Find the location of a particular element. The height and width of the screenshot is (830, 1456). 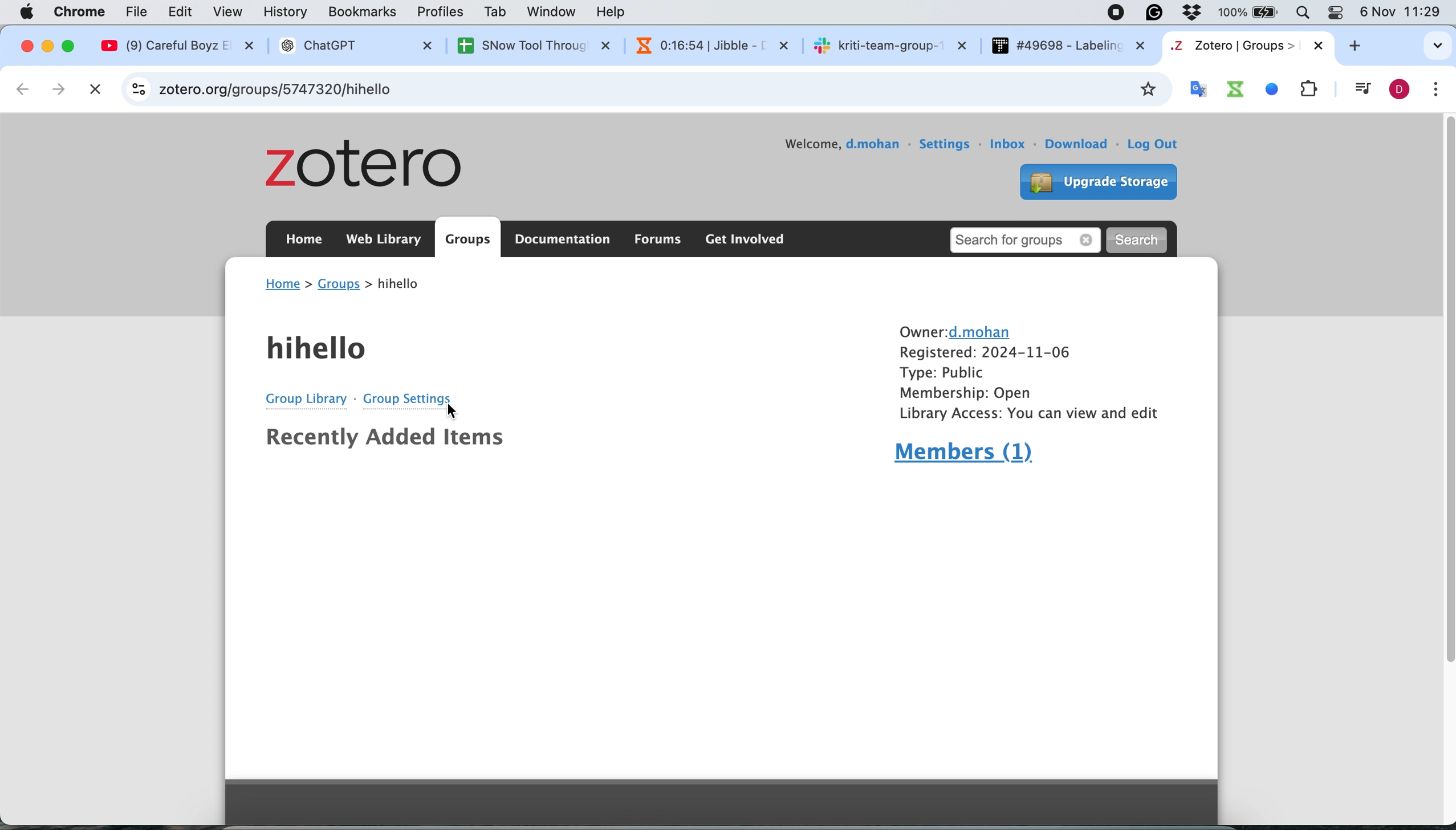

log out is located at coordinates (1160, 144).